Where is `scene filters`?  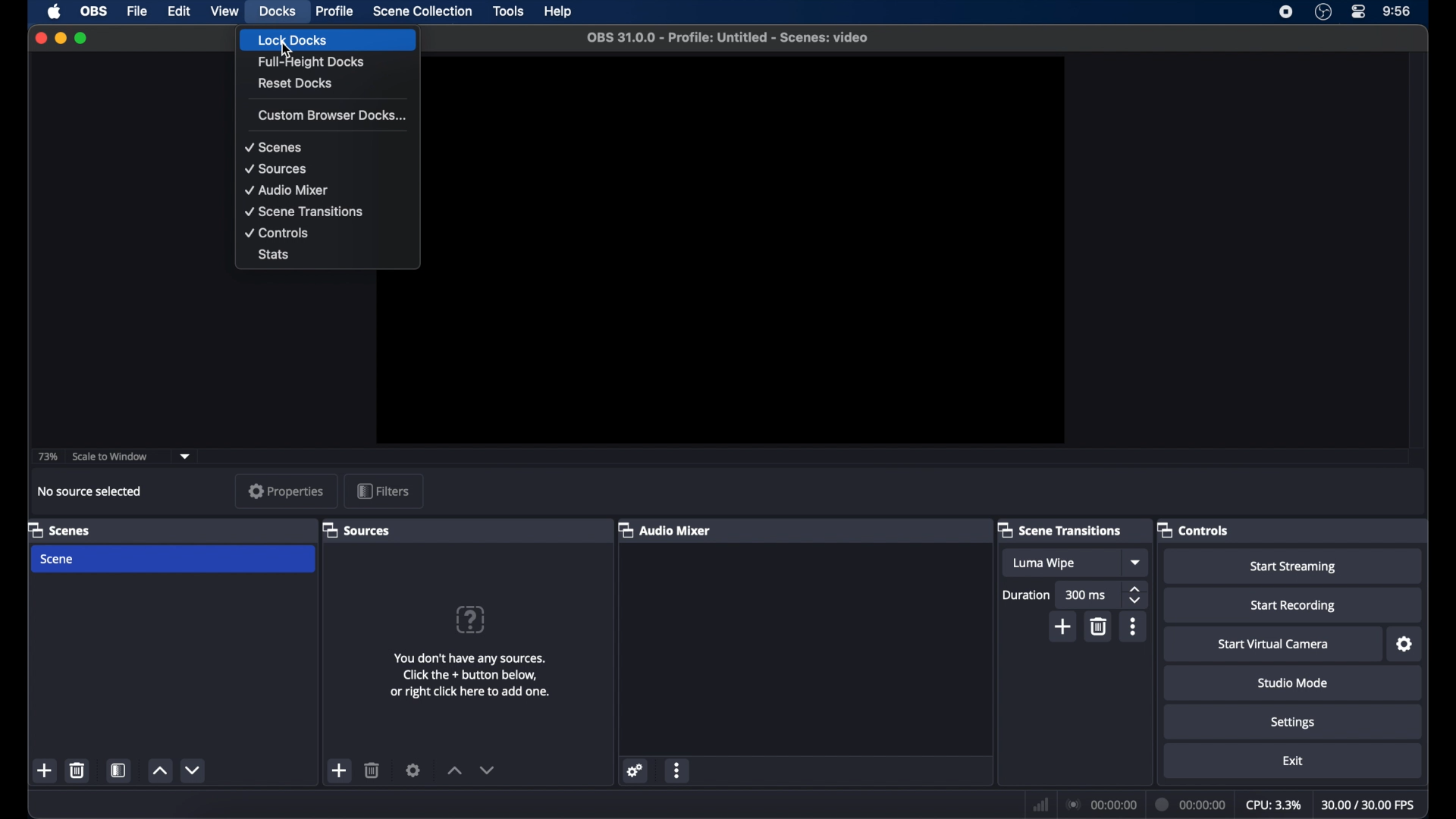
scene filters is located at coordinates (119, 770).